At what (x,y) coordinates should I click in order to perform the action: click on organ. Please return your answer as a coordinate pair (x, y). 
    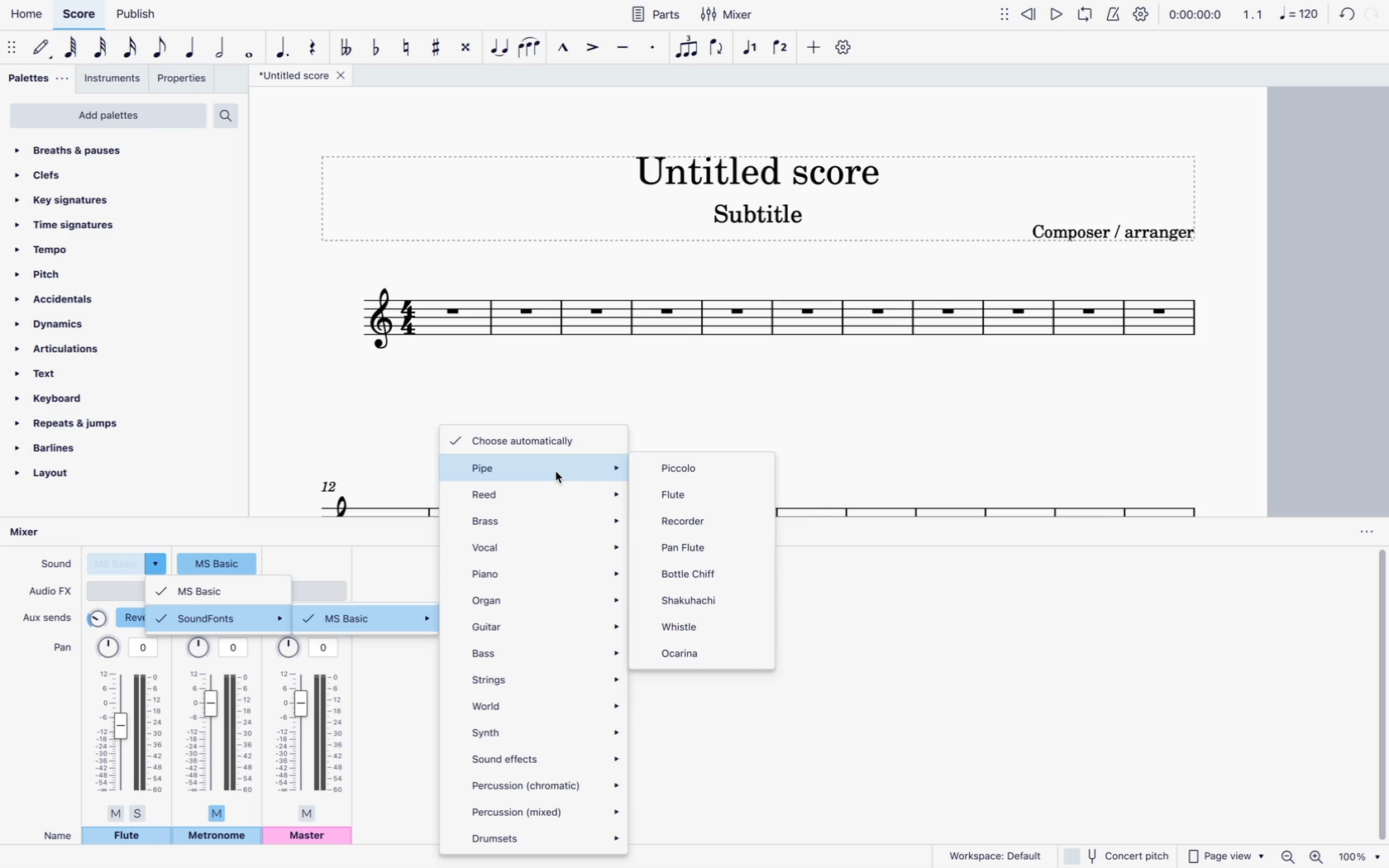
    Looking at the image, I should click on (546, 599).